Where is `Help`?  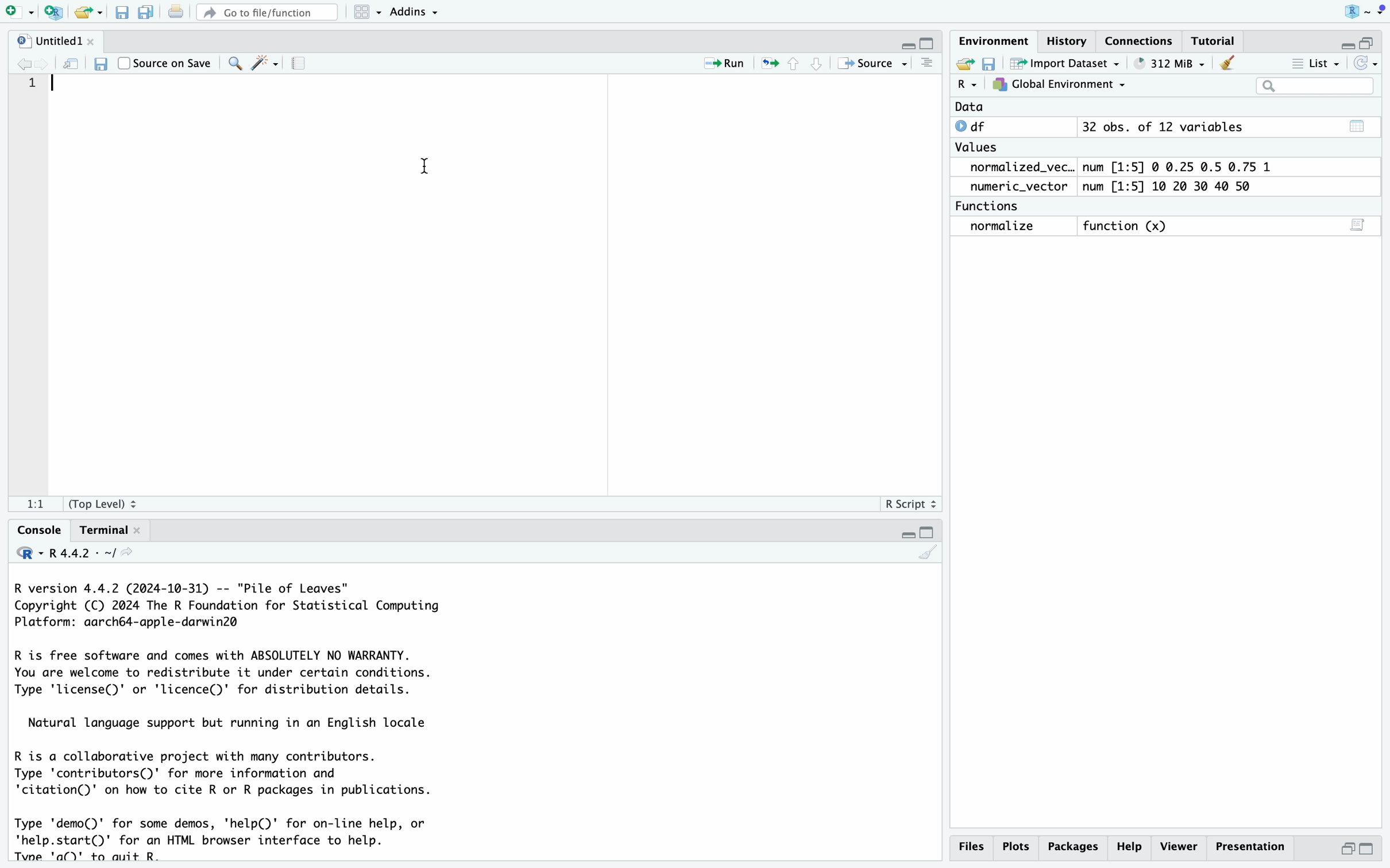 Help is located at coordinates (1131, 845).